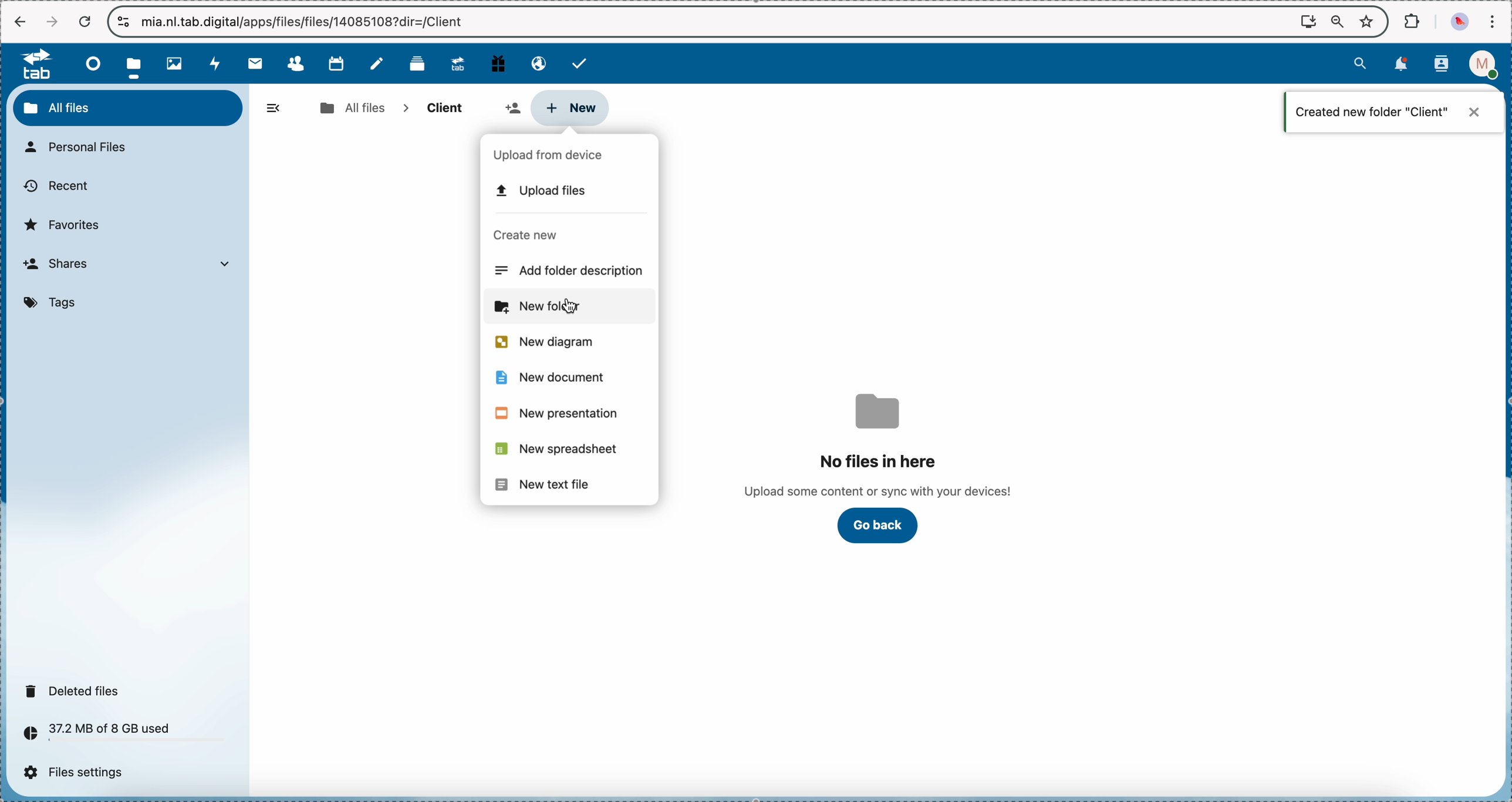 This screenshot has height=802, width=1512. I want to click on navigate foward, so click(52, 22).